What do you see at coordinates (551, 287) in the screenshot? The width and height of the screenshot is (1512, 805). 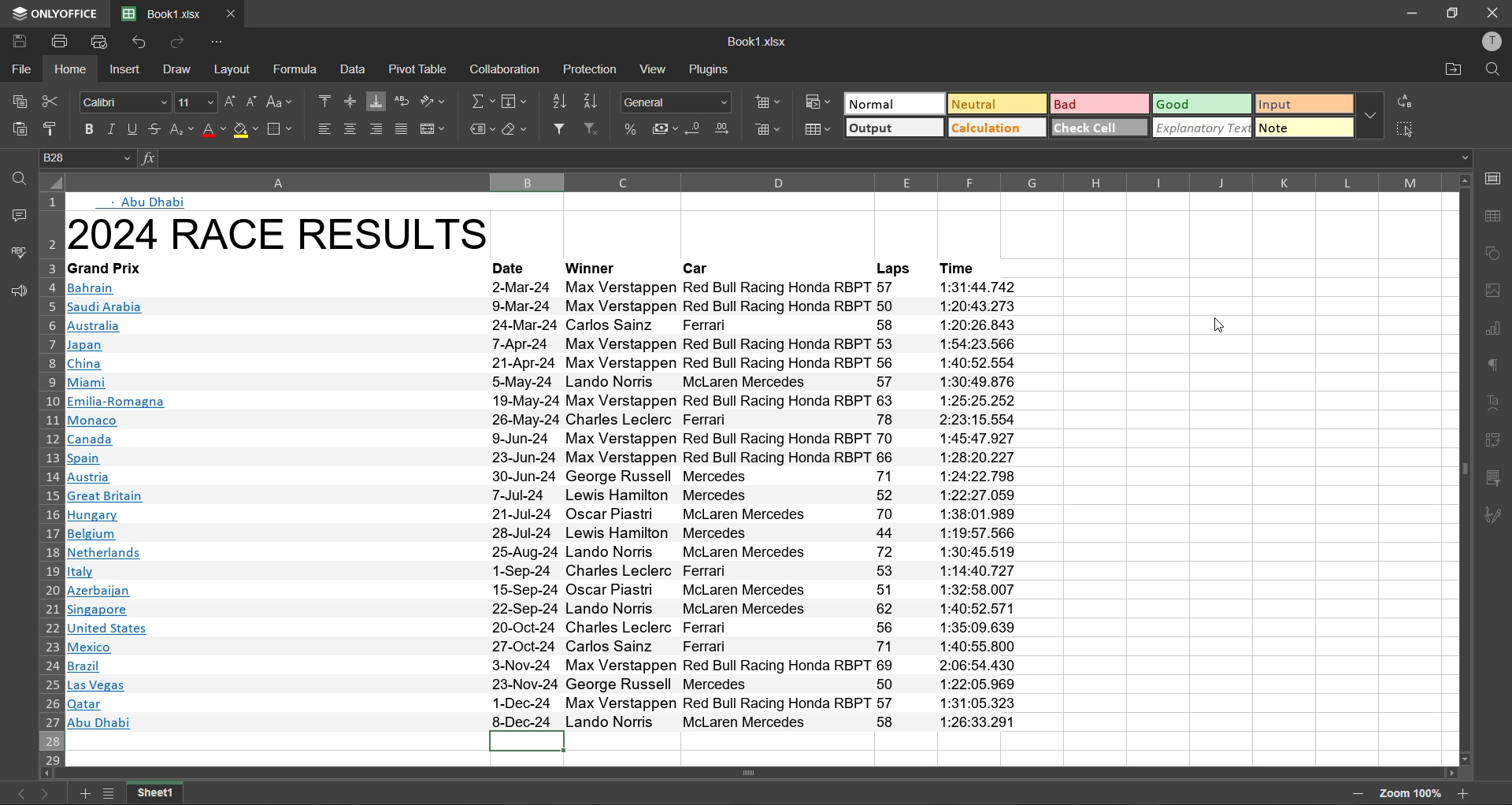 I see `Bahrain 2-Mar-24 Max Verstappen Red Bull Racing Honda RBPT 57 1:31:44.742` at bounding box center [551, 287].